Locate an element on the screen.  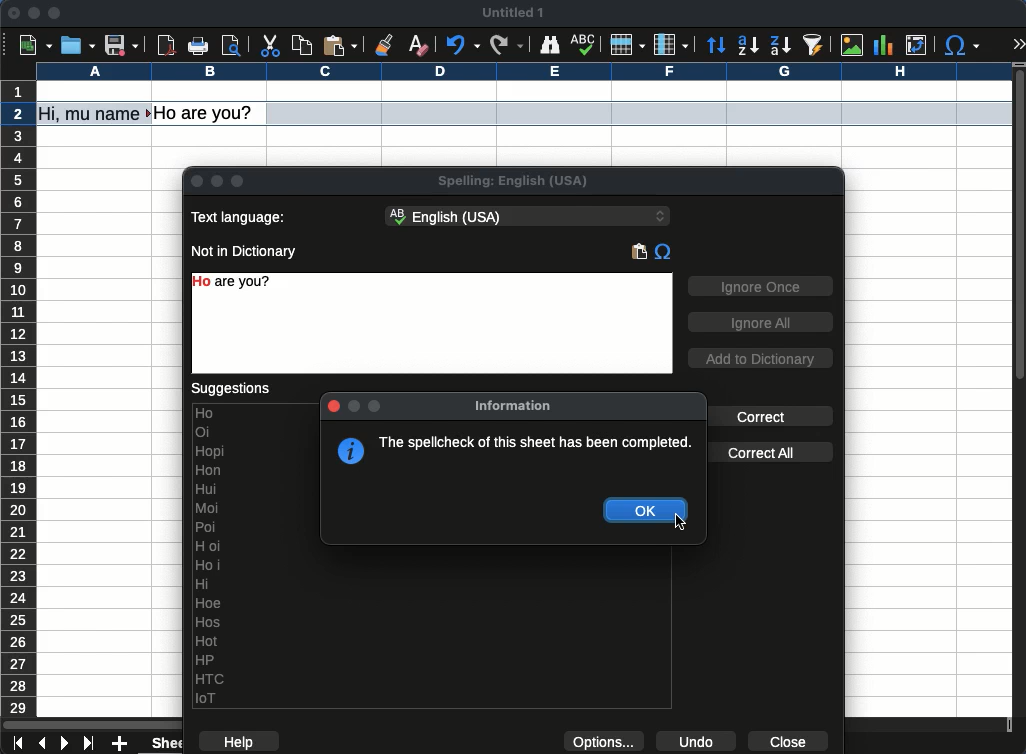
ignore all is located at coordinates (760, 322).